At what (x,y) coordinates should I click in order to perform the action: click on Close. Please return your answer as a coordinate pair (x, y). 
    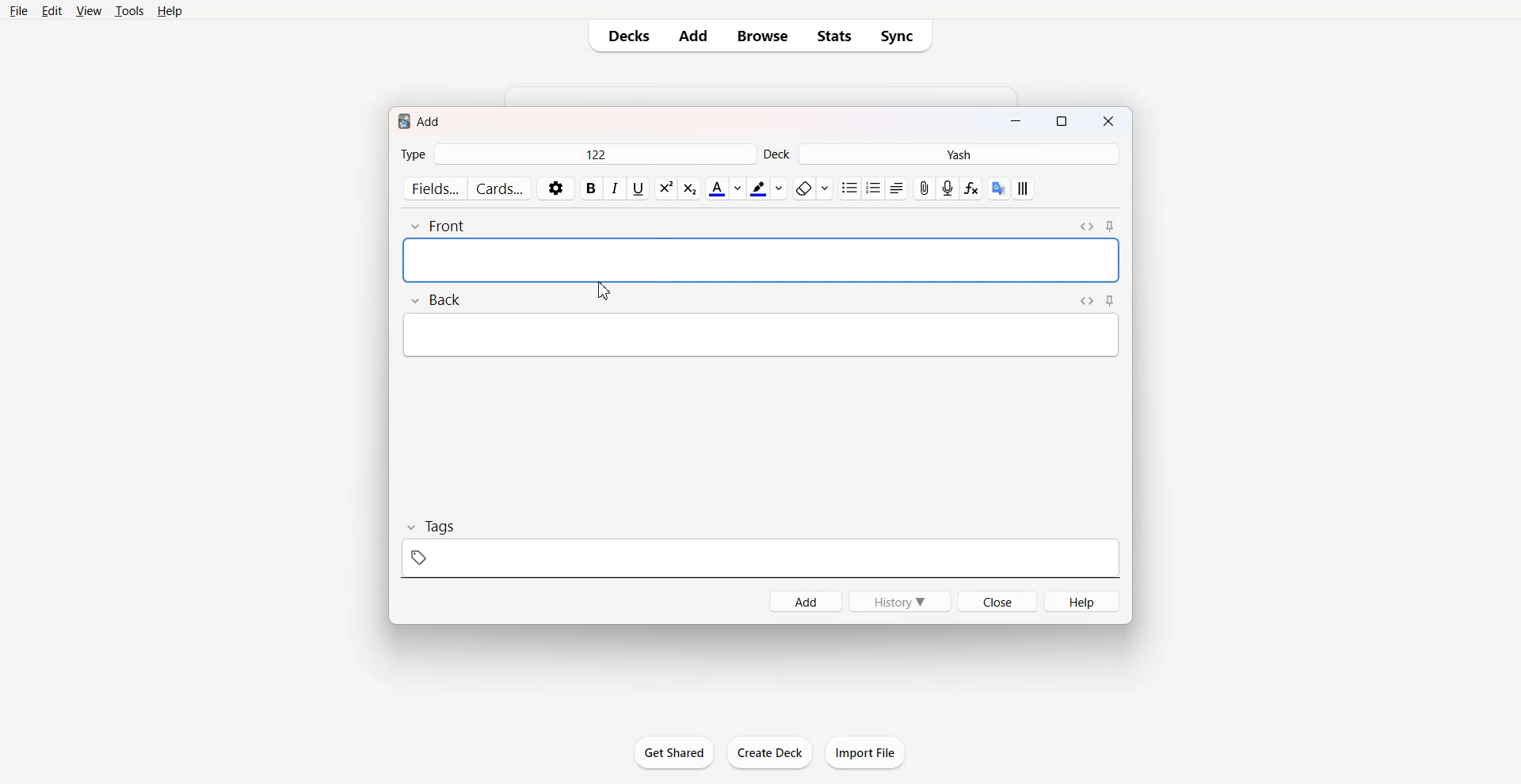
    Looking at the image, I should click on (1111, 123).